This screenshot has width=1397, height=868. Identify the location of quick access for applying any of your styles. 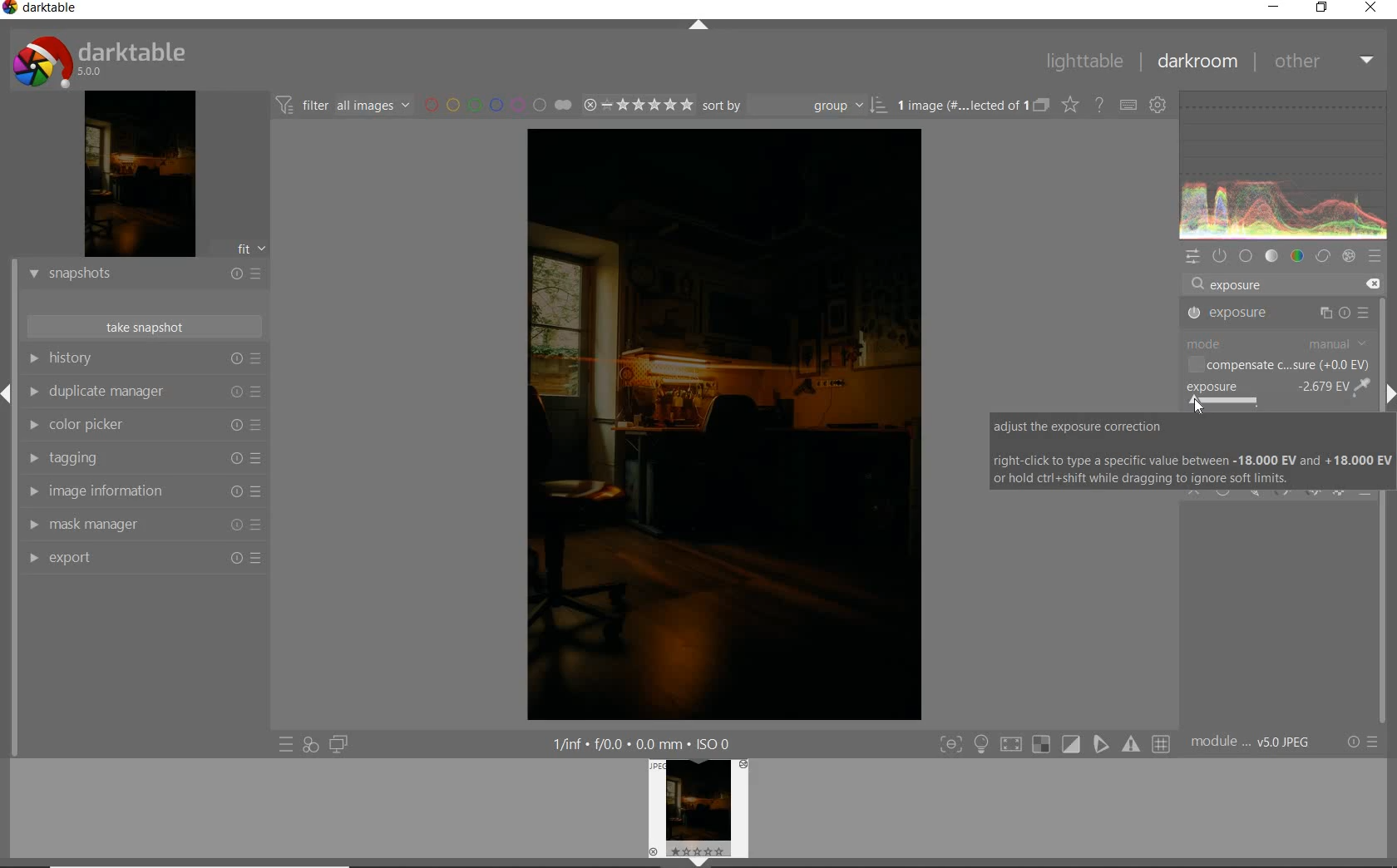
(309, 744).